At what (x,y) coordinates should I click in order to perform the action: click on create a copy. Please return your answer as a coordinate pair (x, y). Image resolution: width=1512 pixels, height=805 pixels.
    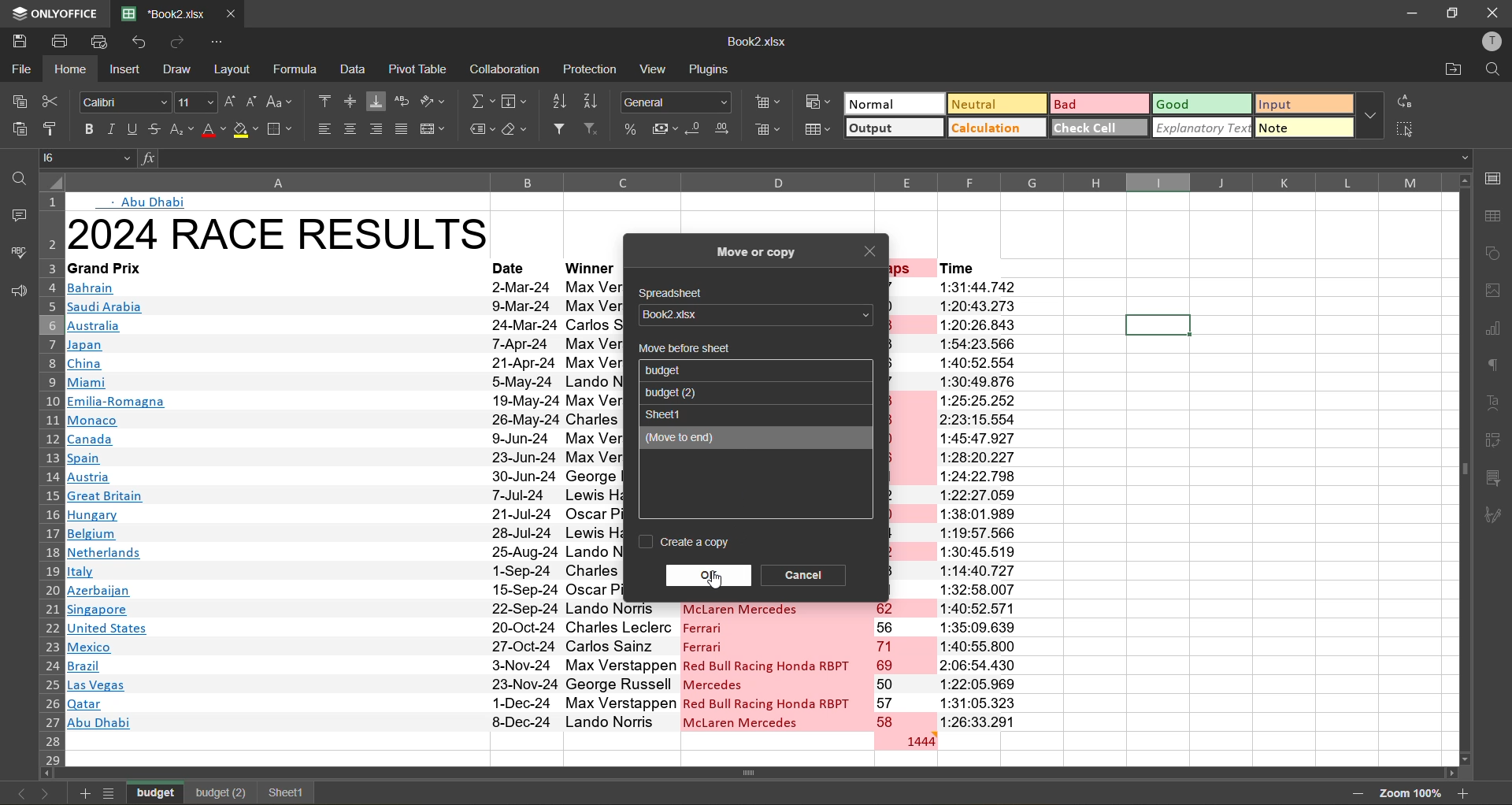
    Looking at the image, I should click on (687, 542).